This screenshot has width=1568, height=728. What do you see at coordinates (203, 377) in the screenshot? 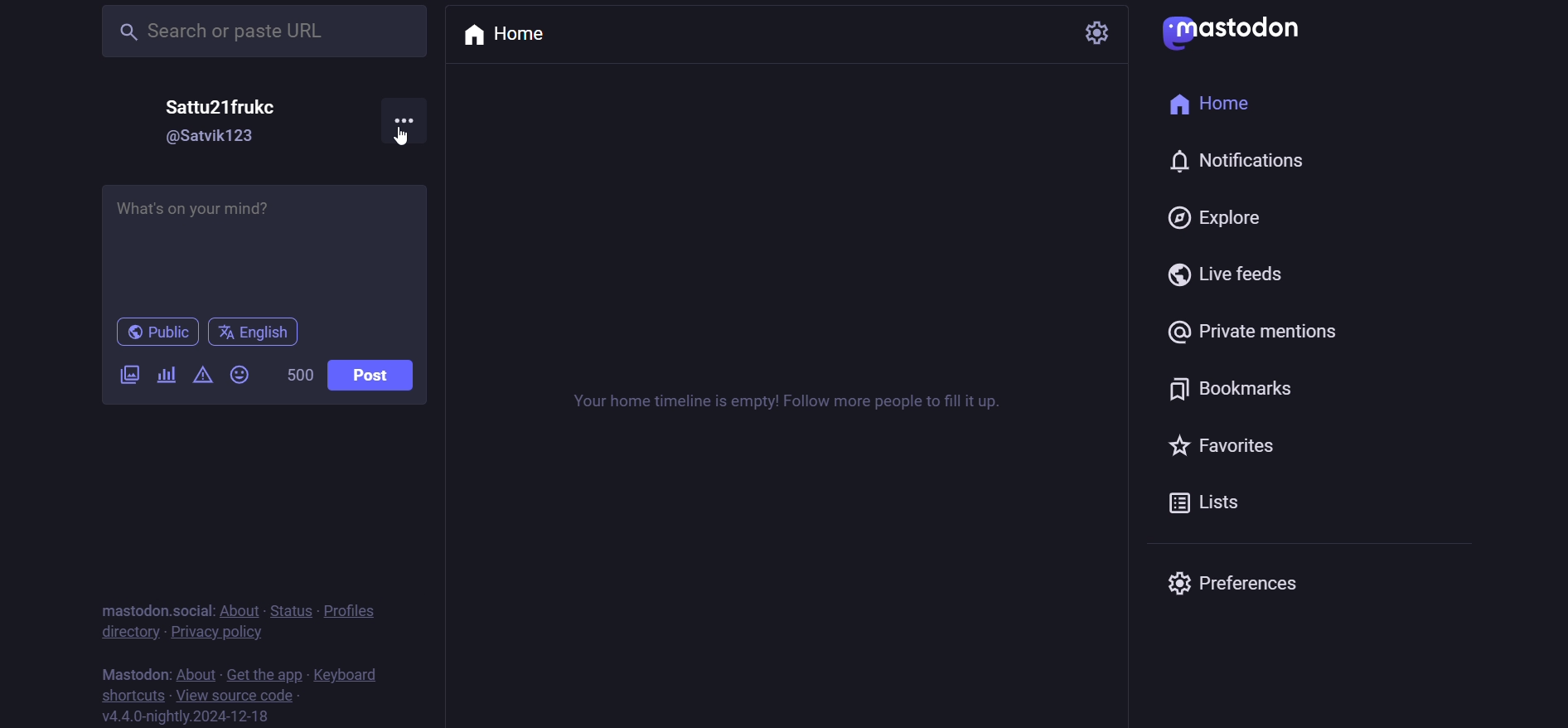
I see `content warning` at bounding box center [203, 377].